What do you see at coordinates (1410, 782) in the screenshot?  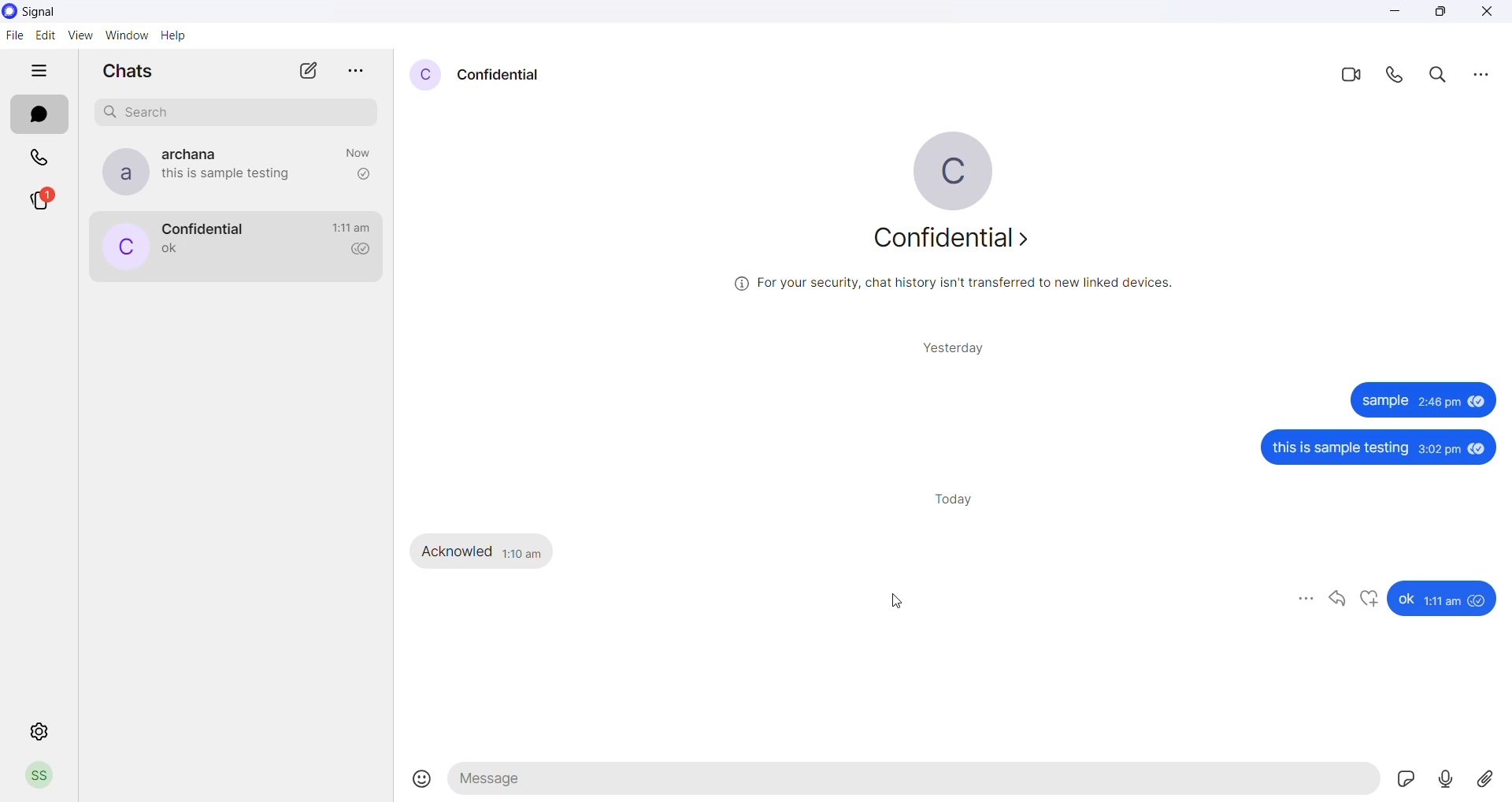 I see `sticker` at bounding box center [1410, 782].